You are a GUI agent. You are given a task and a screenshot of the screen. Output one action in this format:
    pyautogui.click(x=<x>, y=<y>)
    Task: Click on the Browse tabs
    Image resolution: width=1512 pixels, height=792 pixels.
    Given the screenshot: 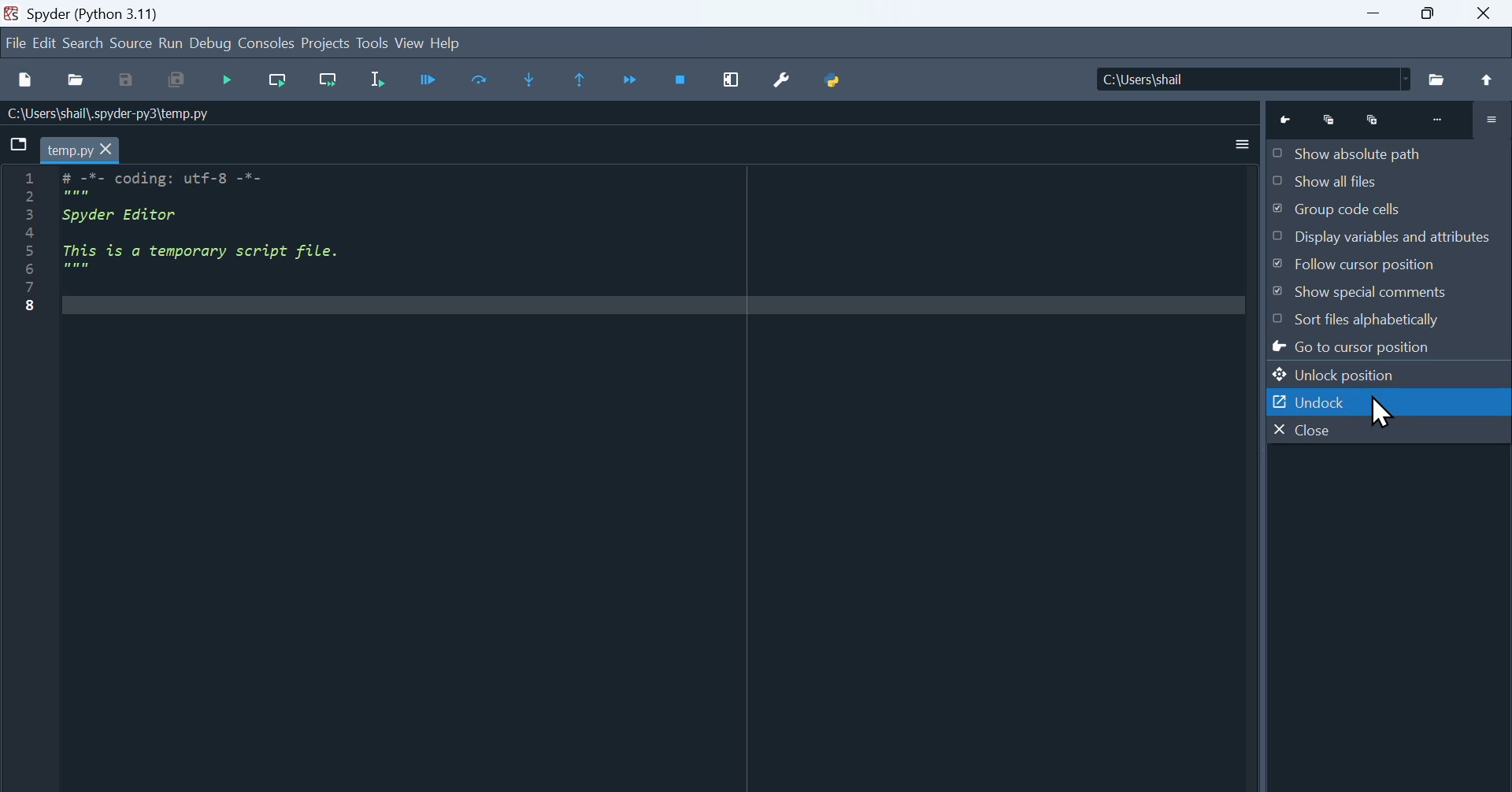 What is the action you would take?
    pyautogui.click(x=18, y=144)
    